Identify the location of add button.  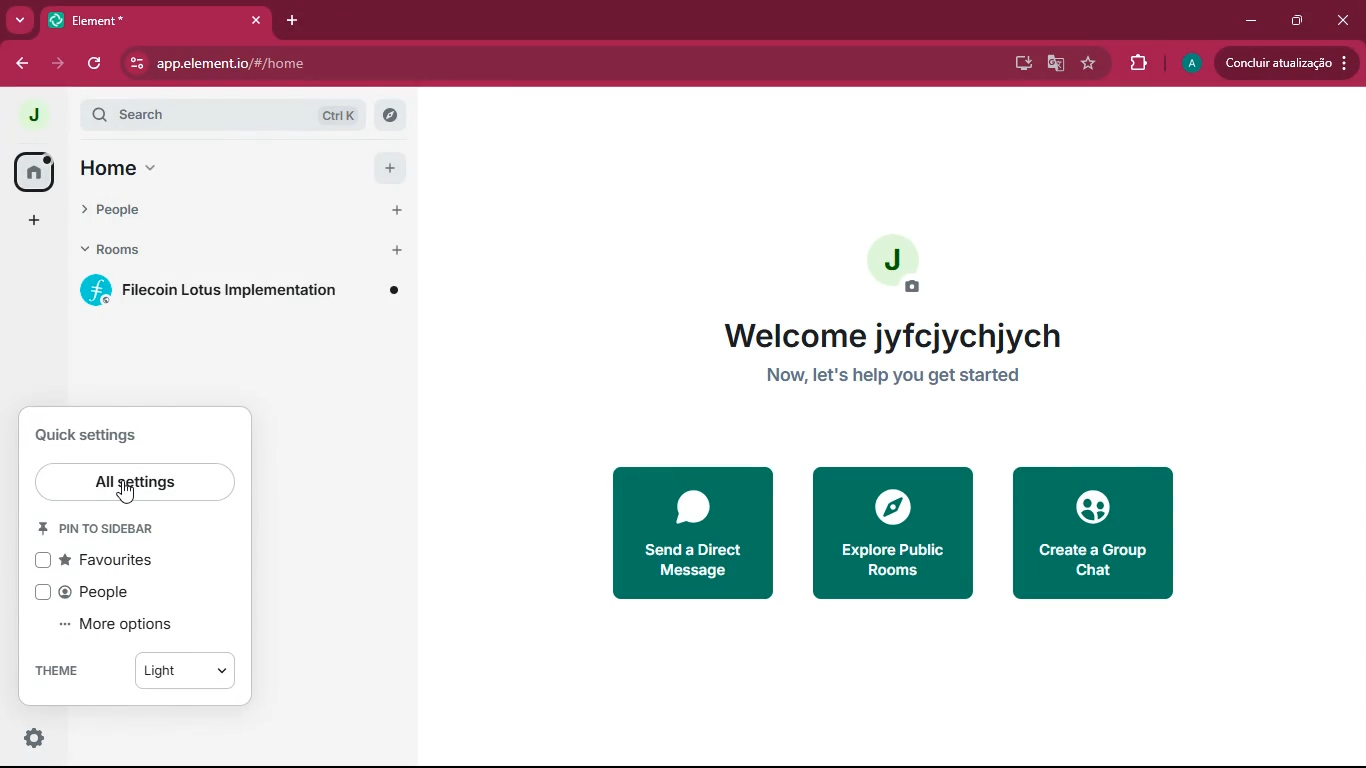
(391, 168).